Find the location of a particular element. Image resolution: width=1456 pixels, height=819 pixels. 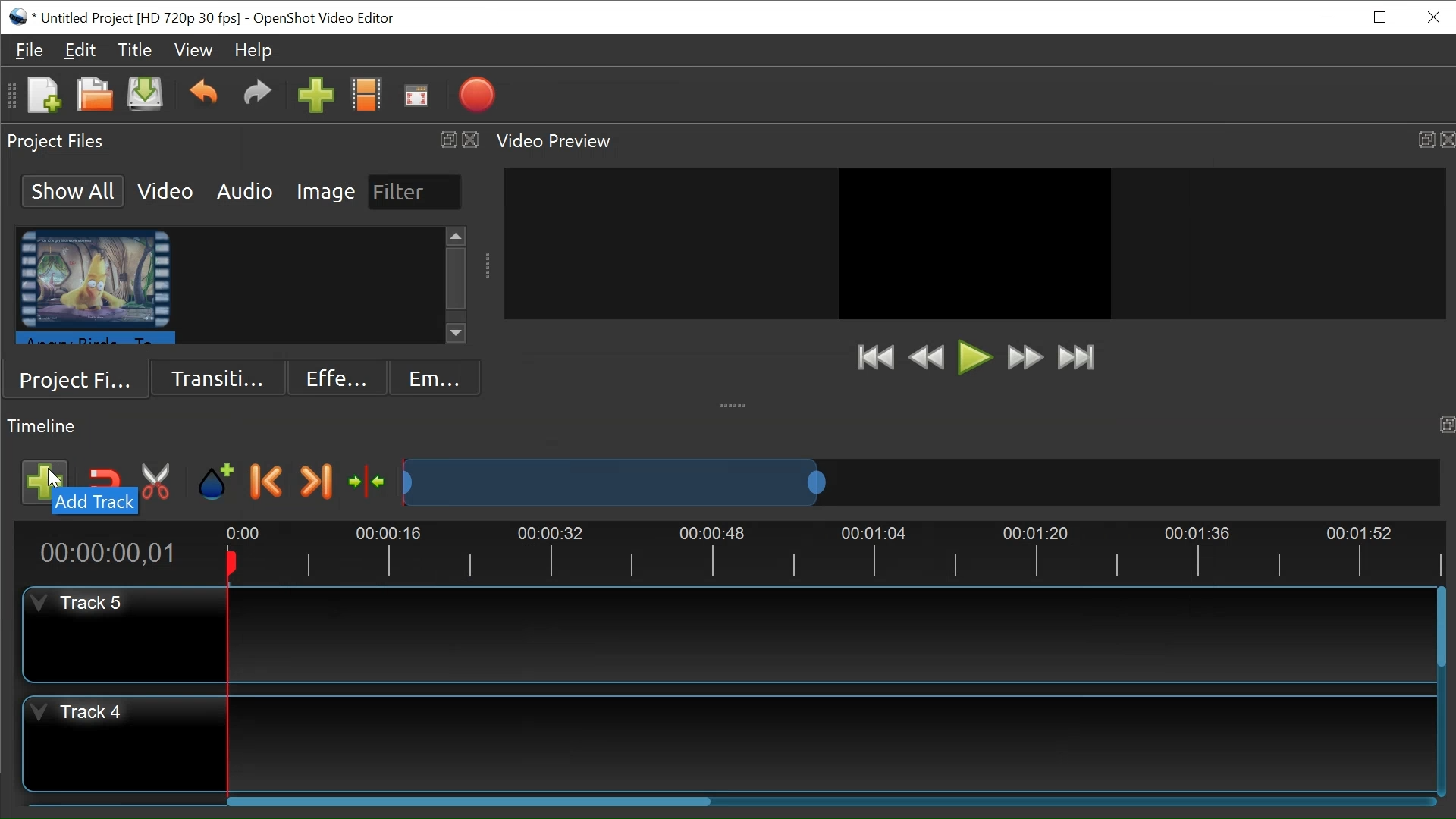

Timeline is located at coordinates (730, 553).